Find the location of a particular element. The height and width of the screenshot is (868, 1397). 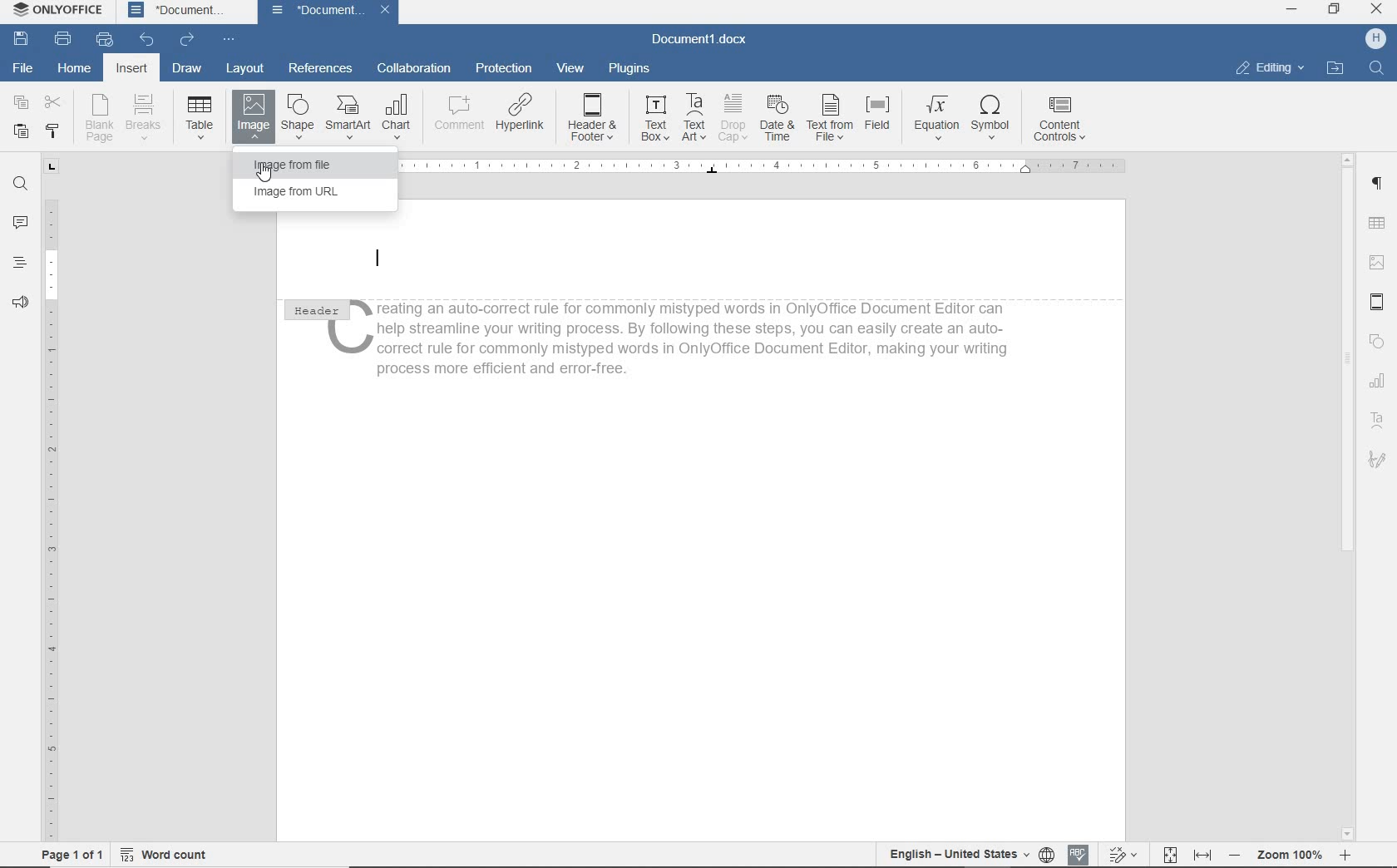

SPELL CHECKING is located at coordinates (1079, 853).